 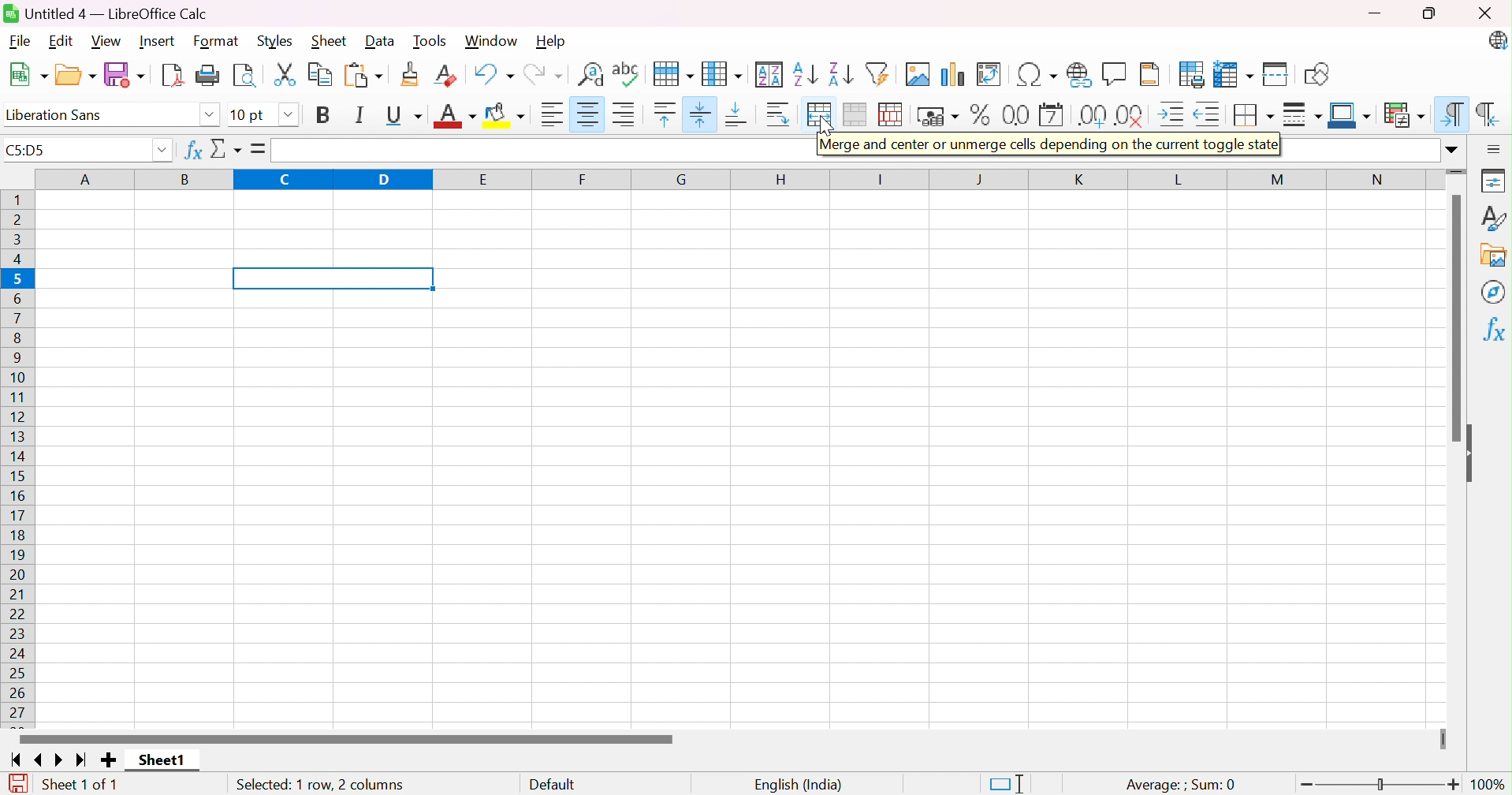 I want to click on Bold, so click(x=324, y=115).